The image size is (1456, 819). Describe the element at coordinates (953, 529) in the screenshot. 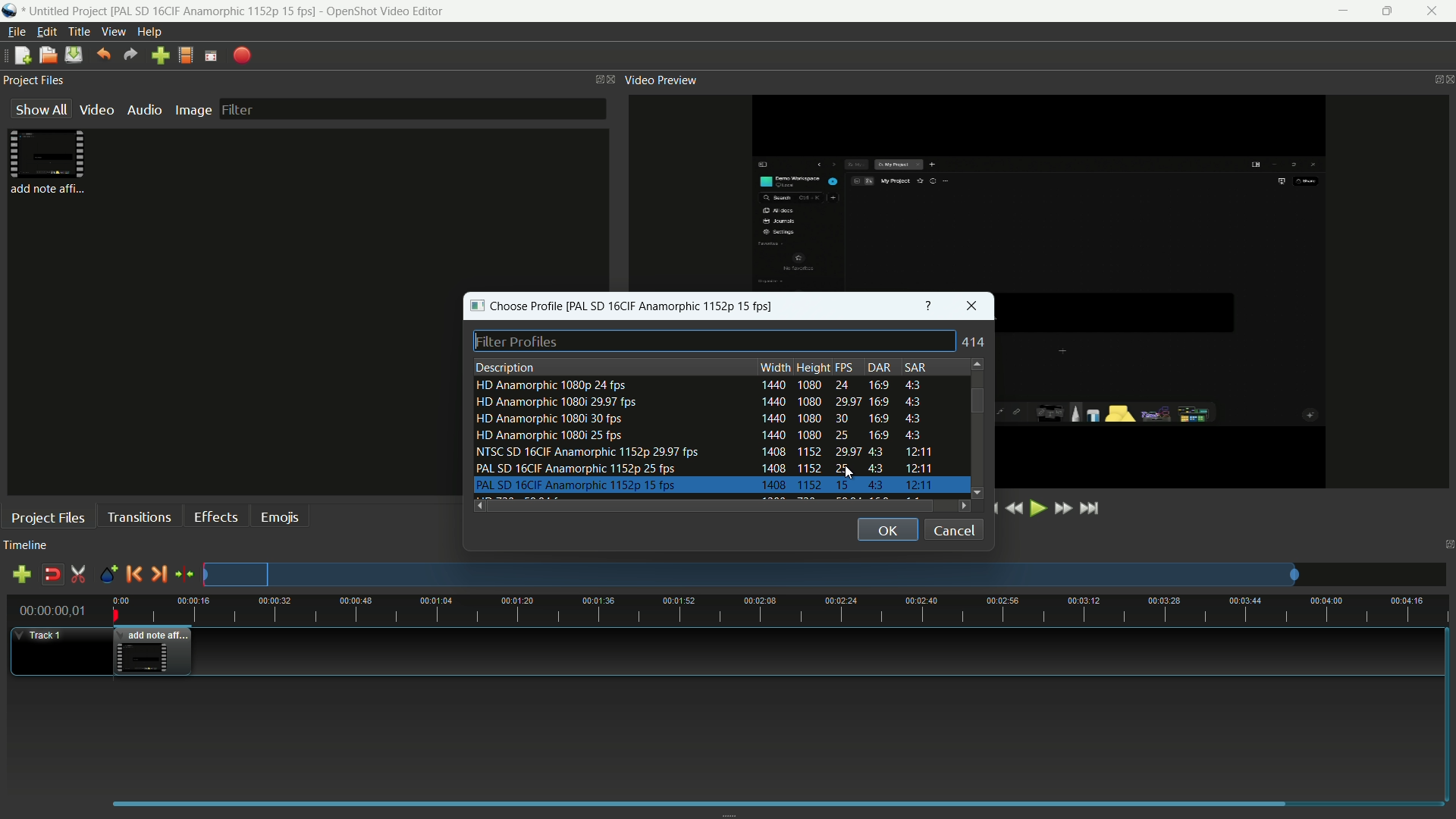

I see `cancel` at that location.